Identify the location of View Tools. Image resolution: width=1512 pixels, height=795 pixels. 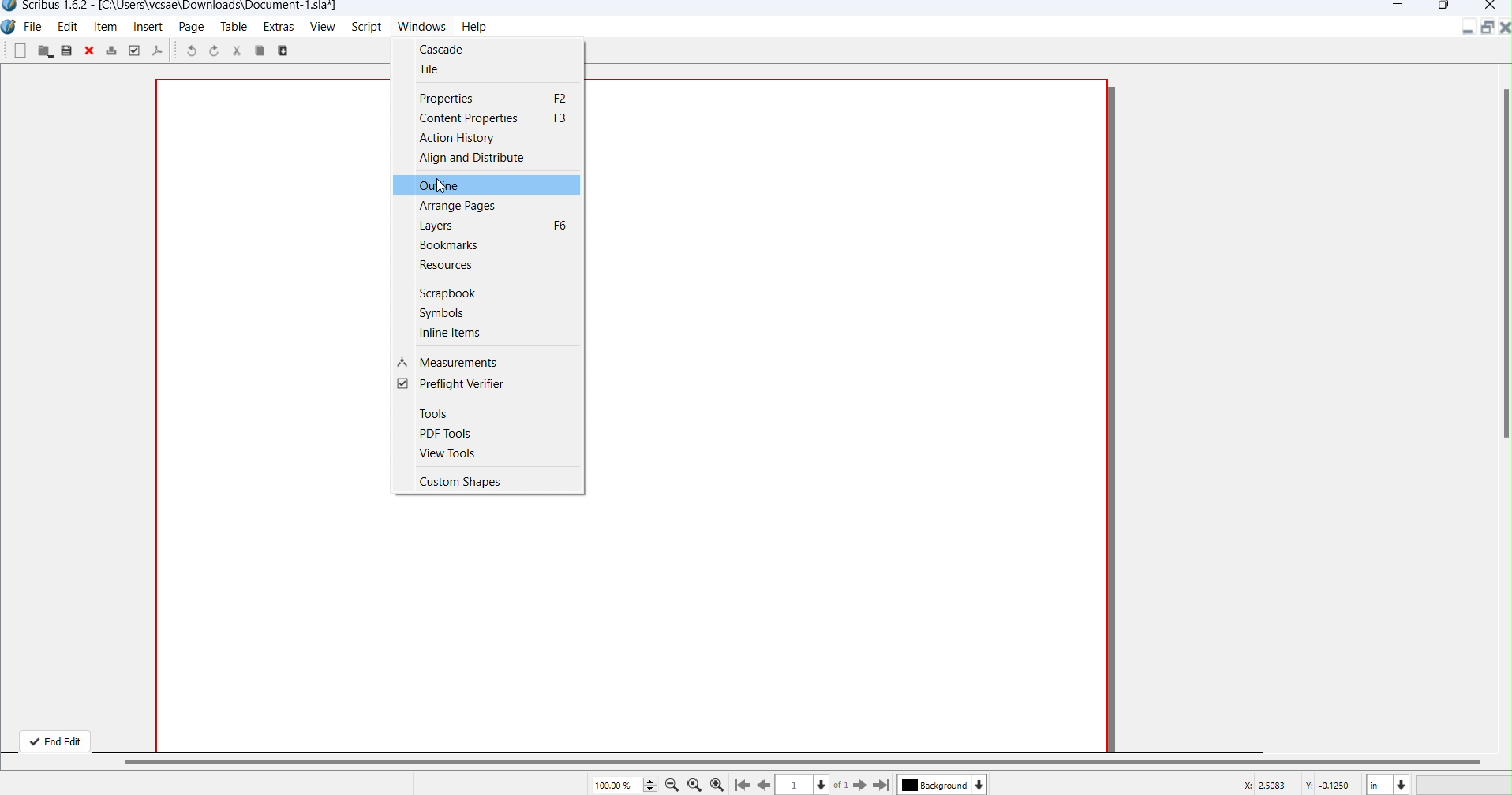
(451, 455).